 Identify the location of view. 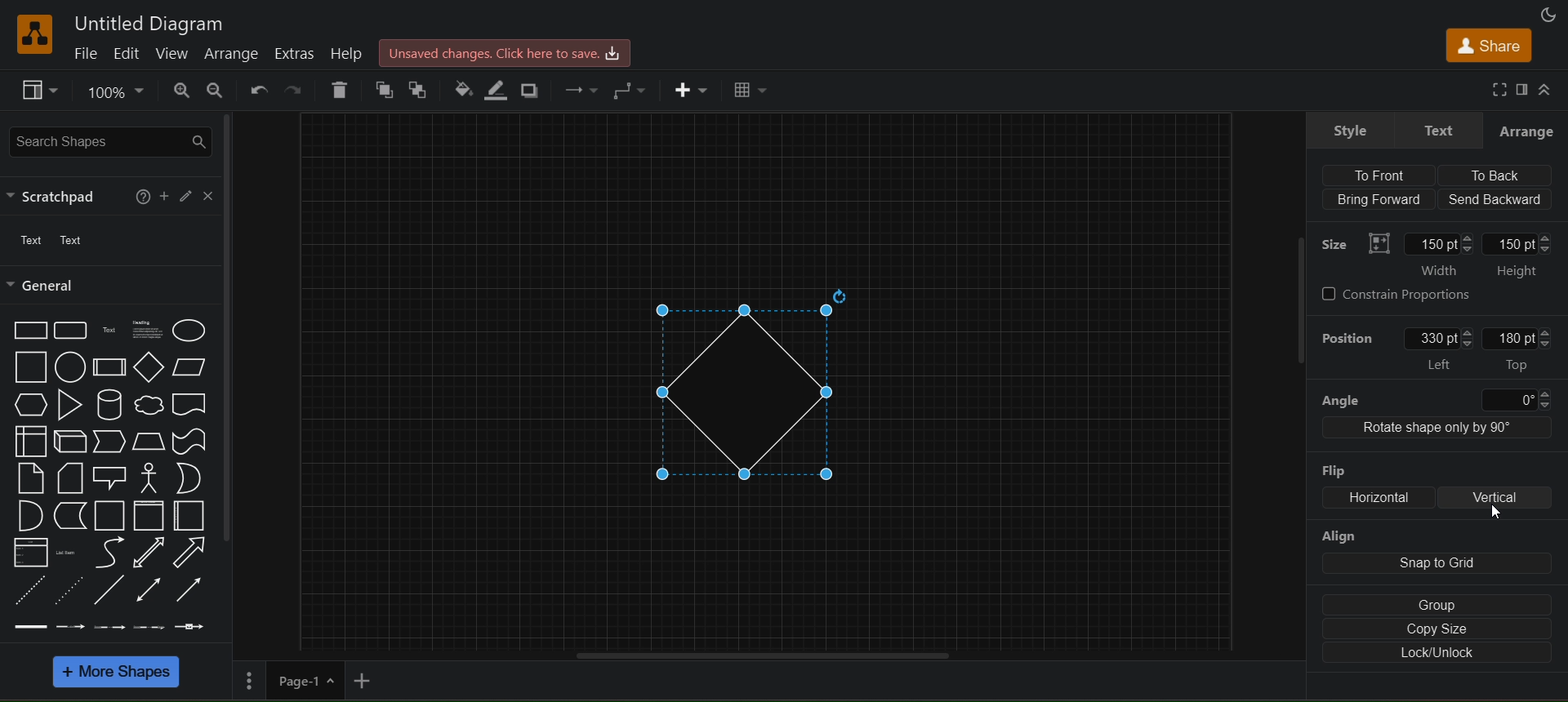
(177, 54).